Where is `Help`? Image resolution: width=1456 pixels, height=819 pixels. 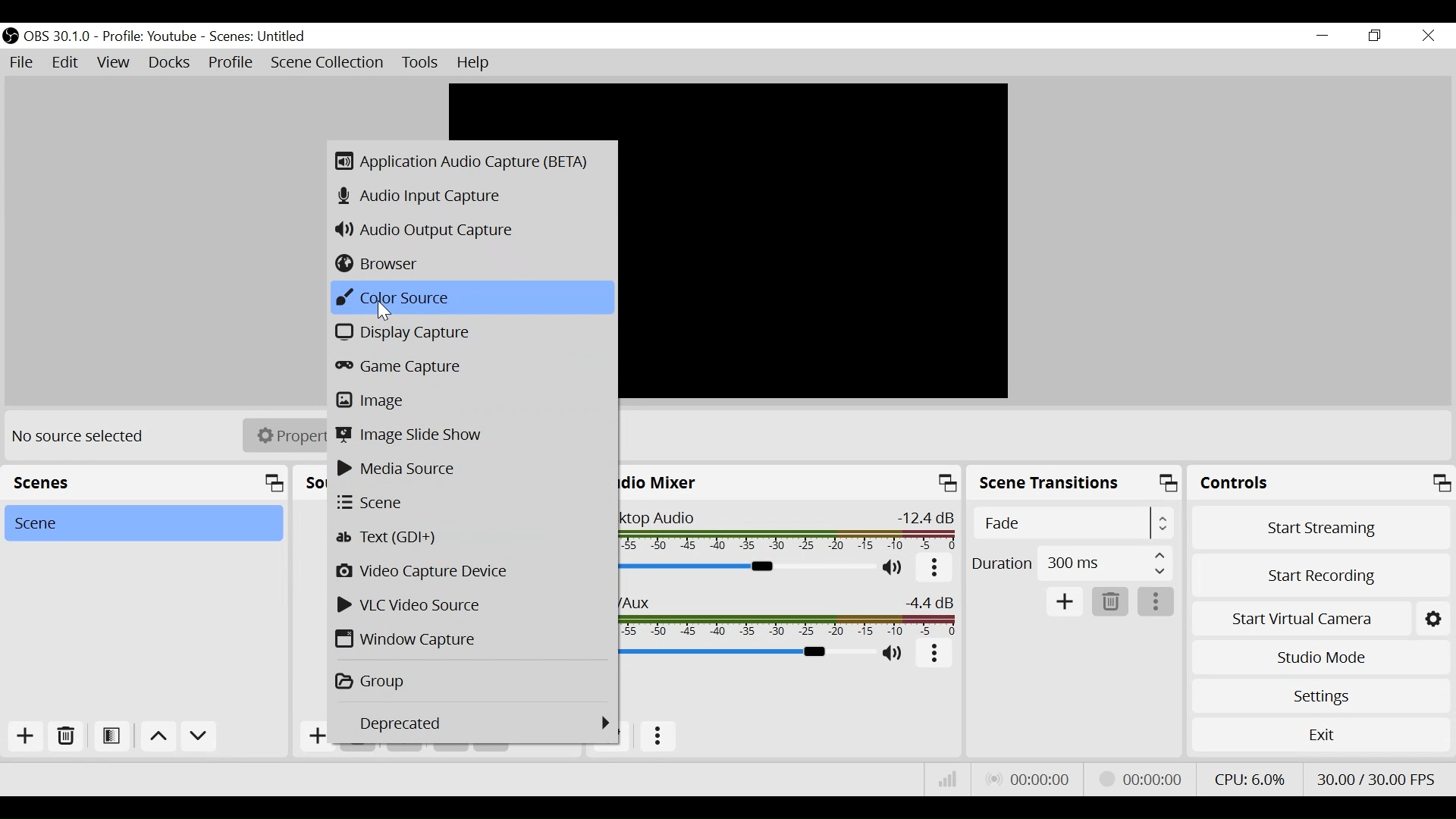
Help is located at coordinates (479, 62).